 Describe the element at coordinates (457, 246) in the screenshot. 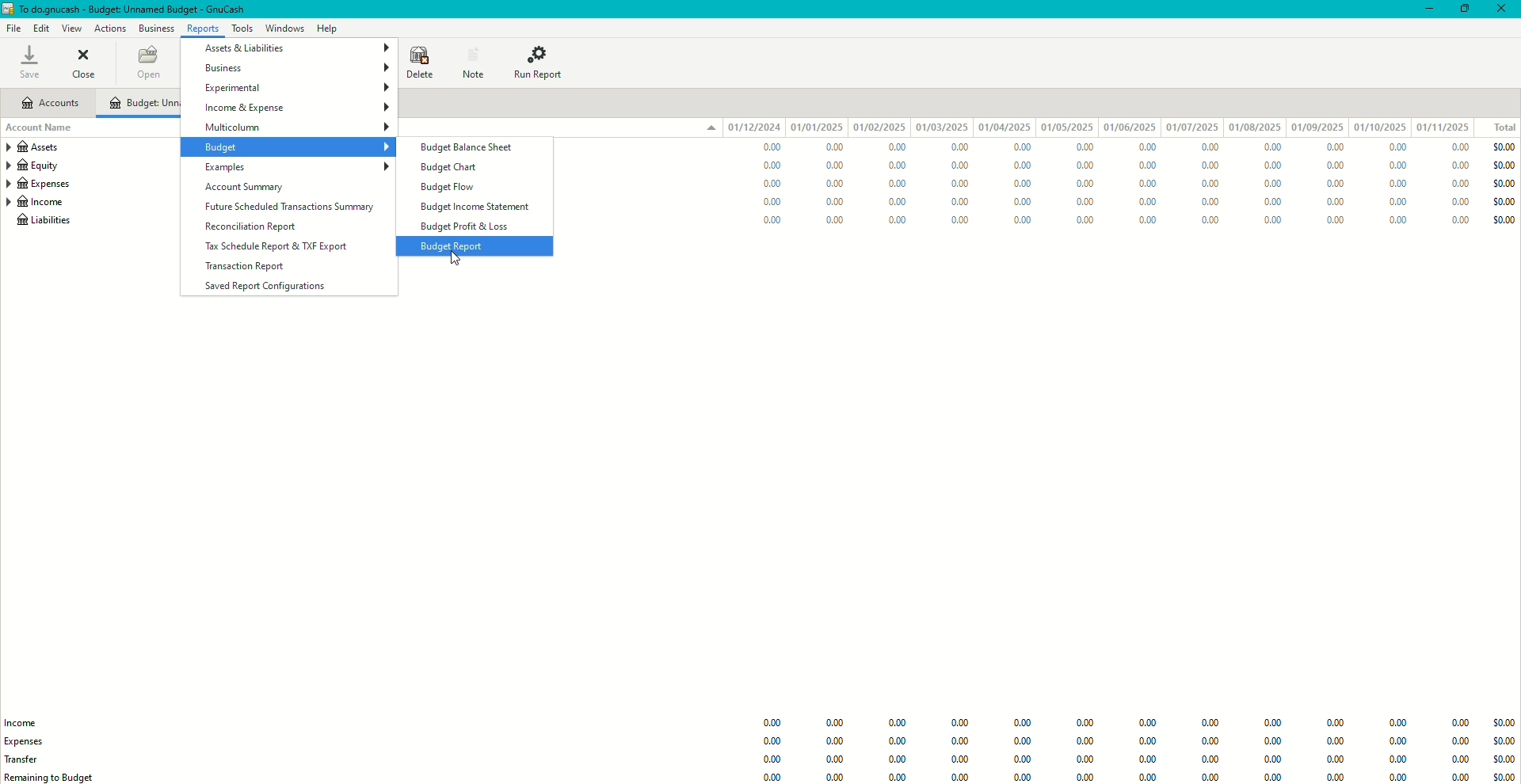

I see `Budget Report` at that location.